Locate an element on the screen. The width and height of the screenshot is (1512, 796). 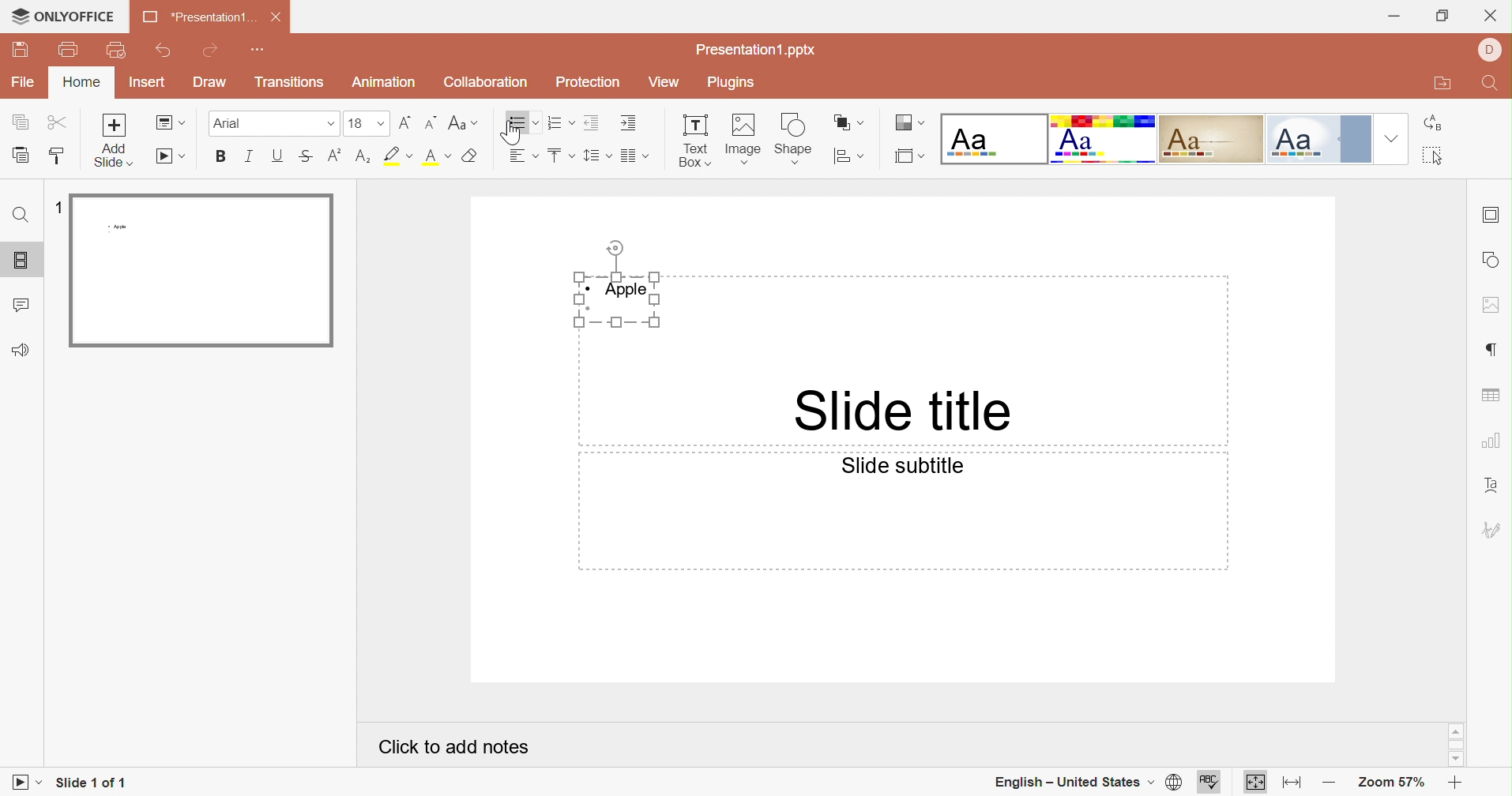
table settings is located at coordinates (1491, 396).